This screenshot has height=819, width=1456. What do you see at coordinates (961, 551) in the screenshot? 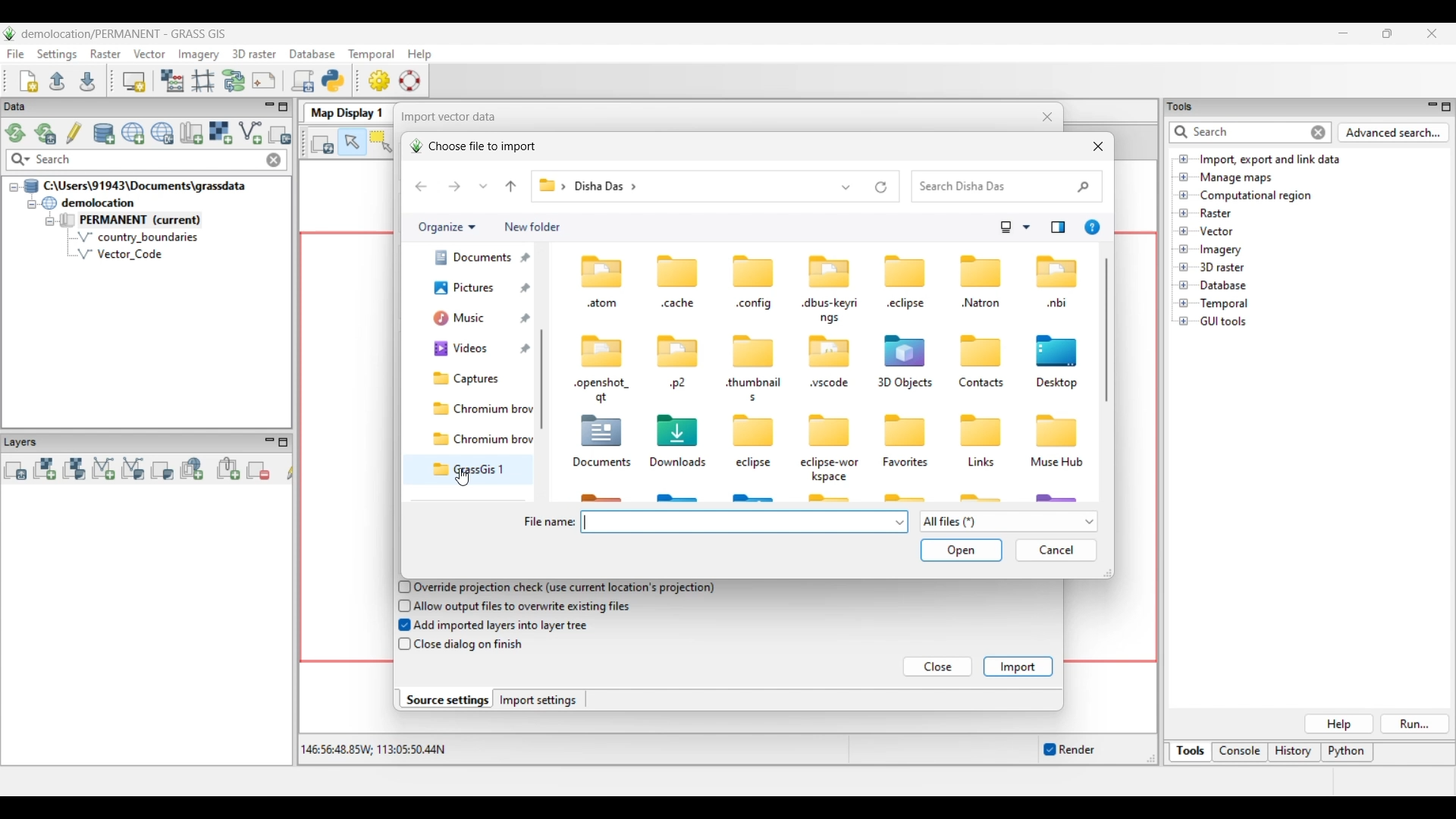
I see `Save and open inputs` at bounding box center [961, 551].